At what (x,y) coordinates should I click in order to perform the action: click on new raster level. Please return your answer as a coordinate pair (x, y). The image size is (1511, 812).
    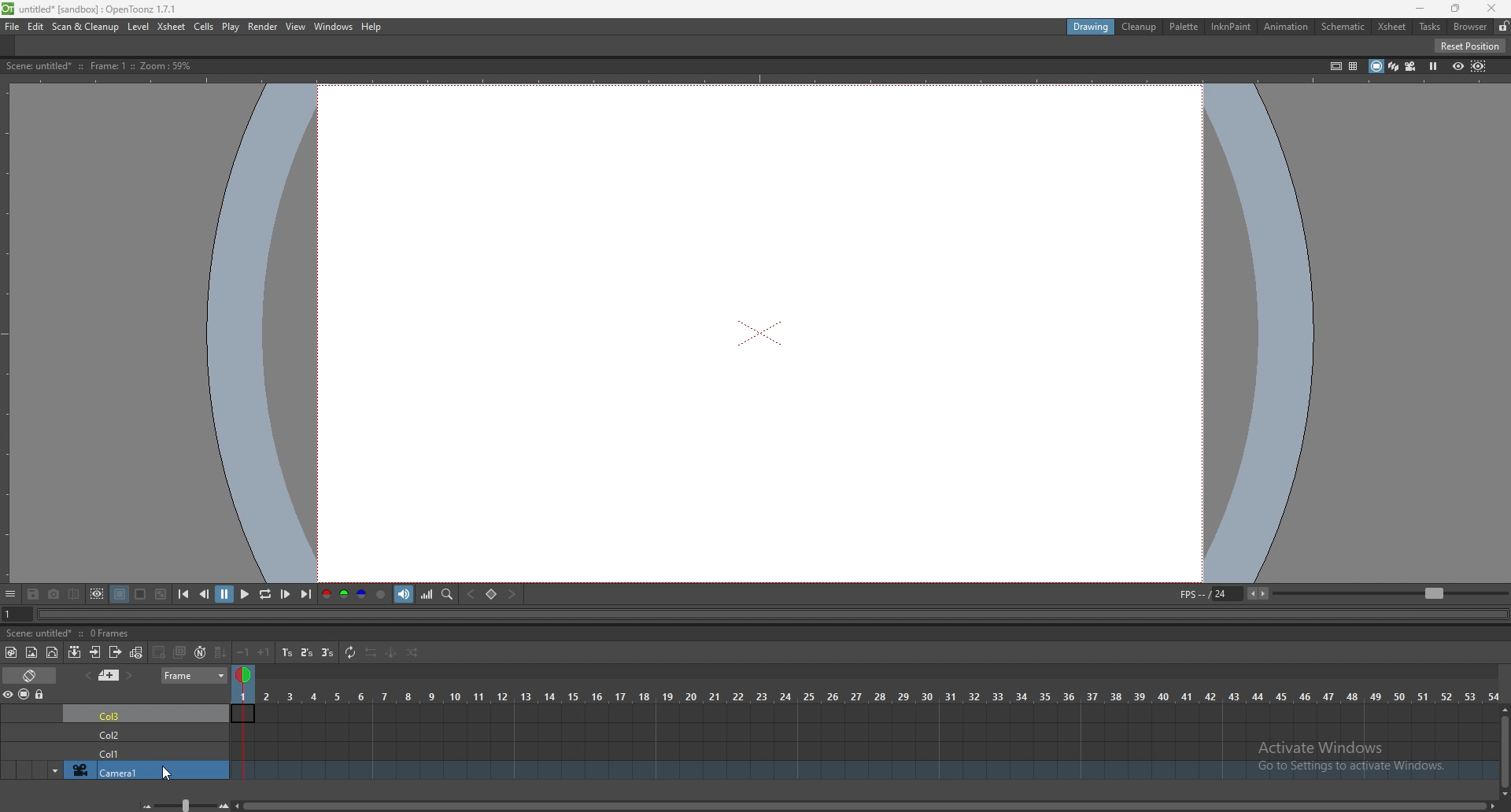
    Looking at the image, I should click on (31, 652).